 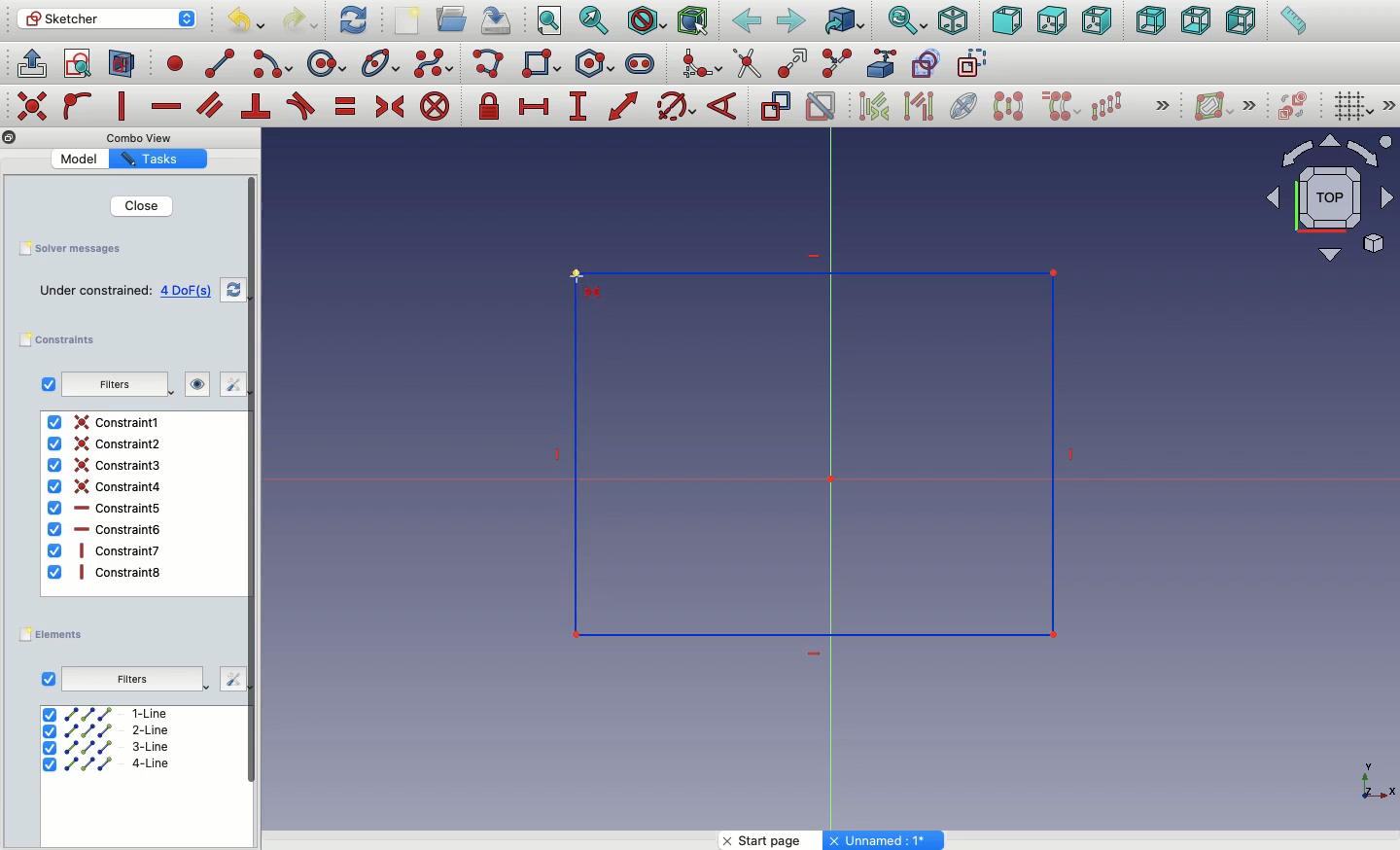 What do you see at coordinates (411, 22) in the screenshot?
I see `New` at bounding box center [411, 22].